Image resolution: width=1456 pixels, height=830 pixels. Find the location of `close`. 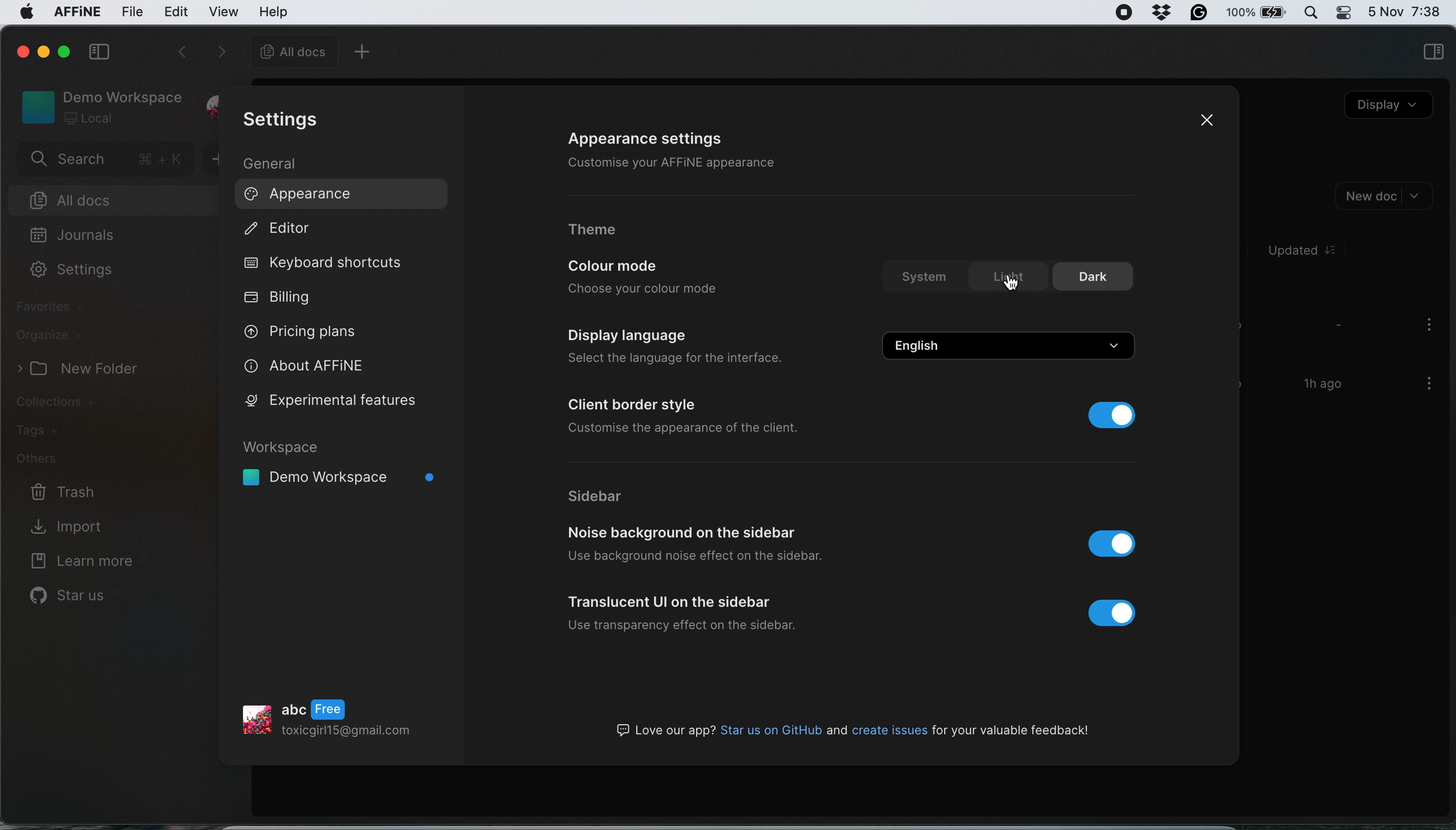

close is located at coordinates (21, 50).